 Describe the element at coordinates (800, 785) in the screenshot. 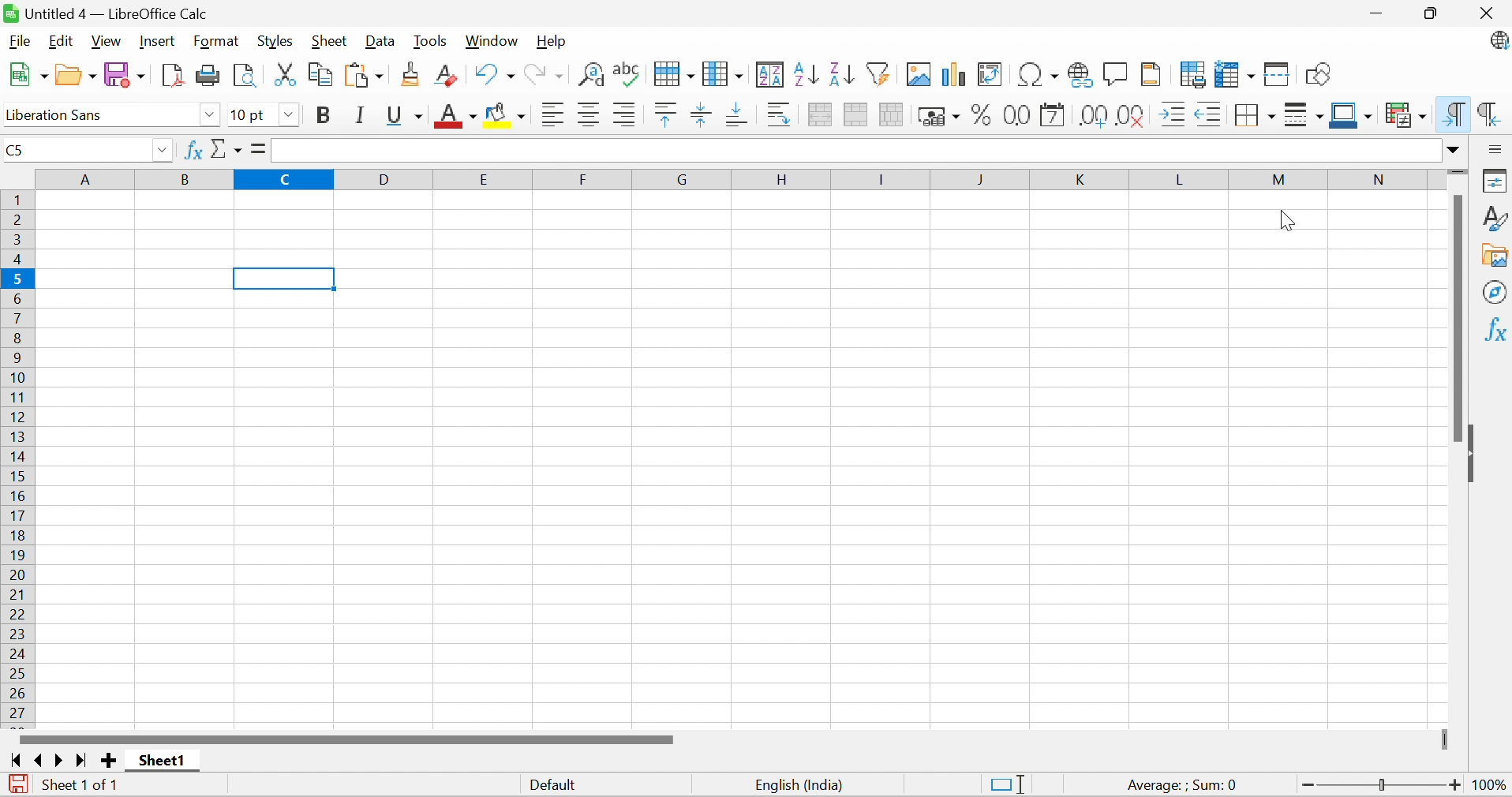

I see `English (India)` at that location.